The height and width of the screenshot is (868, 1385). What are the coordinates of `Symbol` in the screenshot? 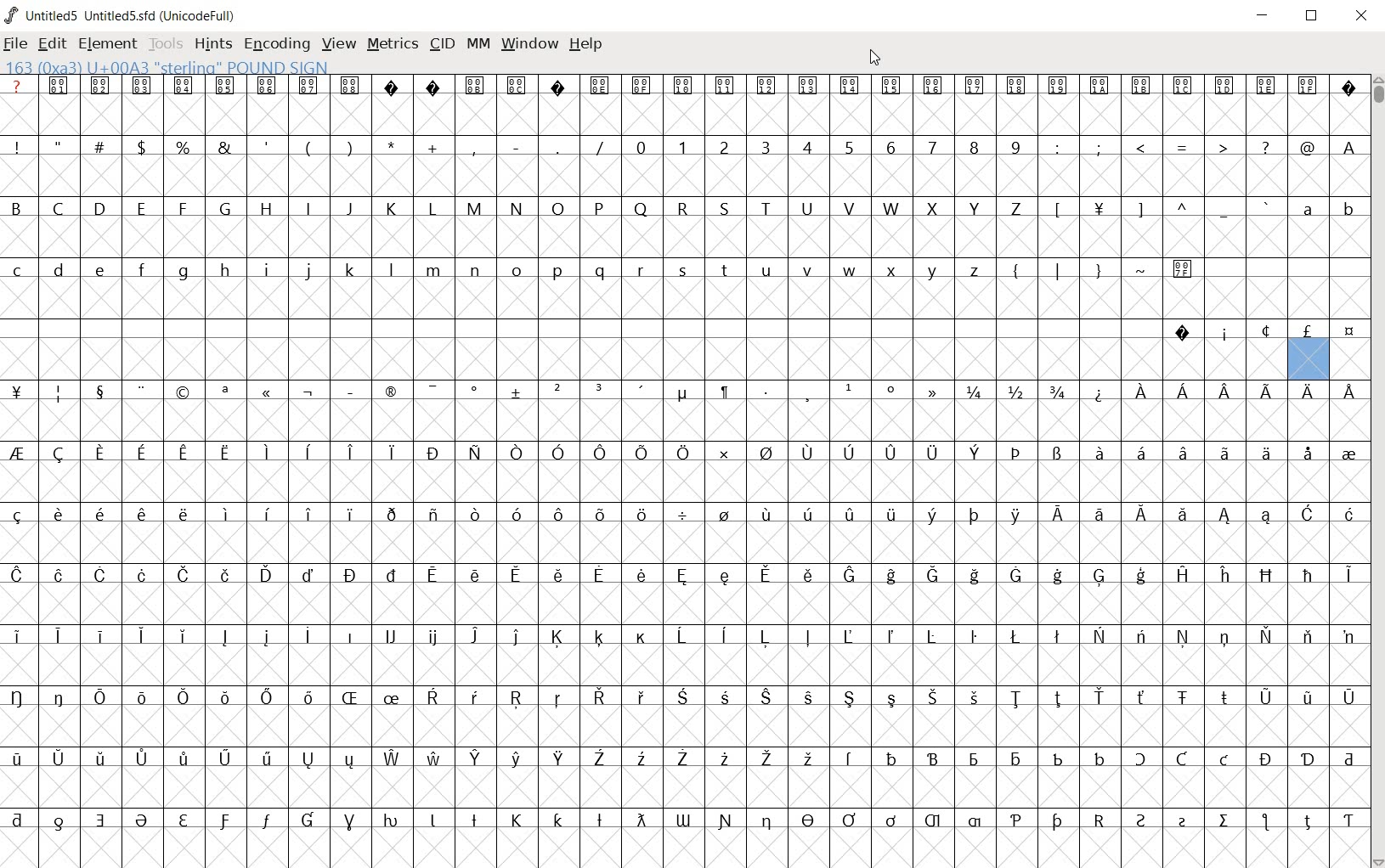 It's located at (807, 697).